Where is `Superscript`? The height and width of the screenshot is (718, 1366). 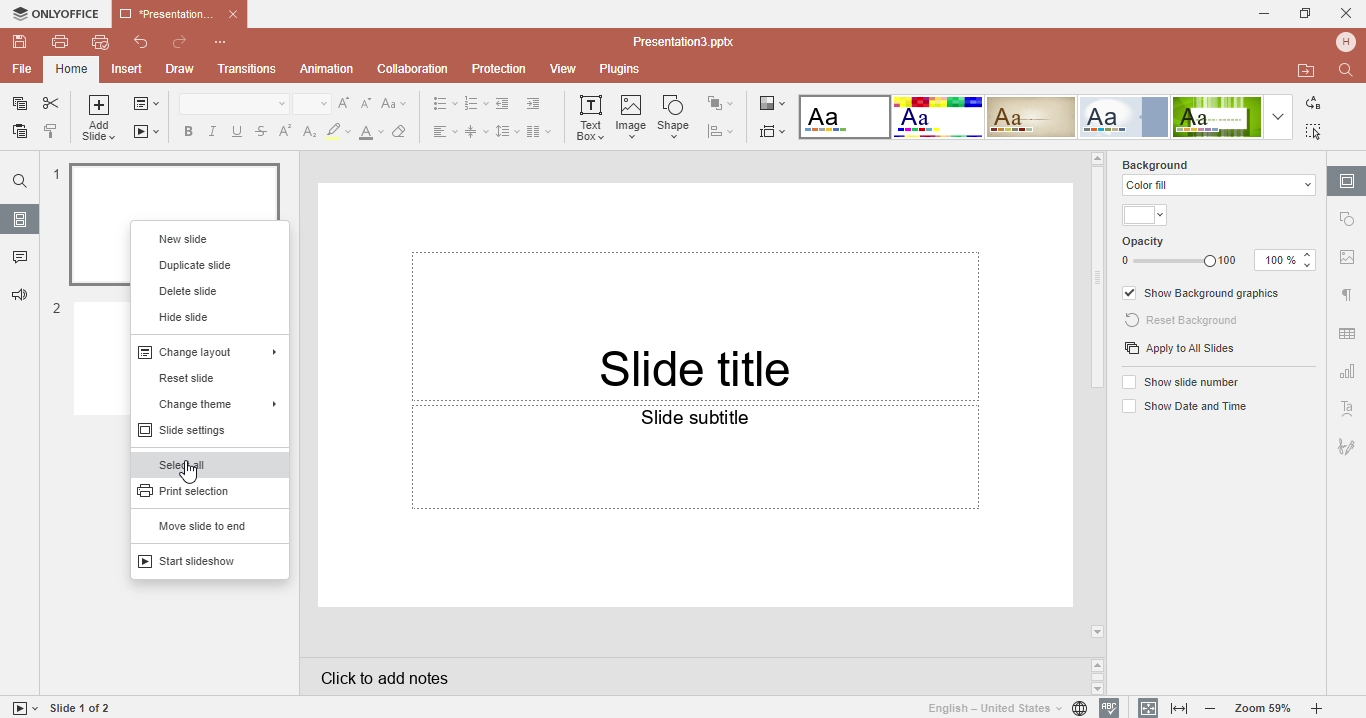 Superscript is located at coordinates (284, 131).